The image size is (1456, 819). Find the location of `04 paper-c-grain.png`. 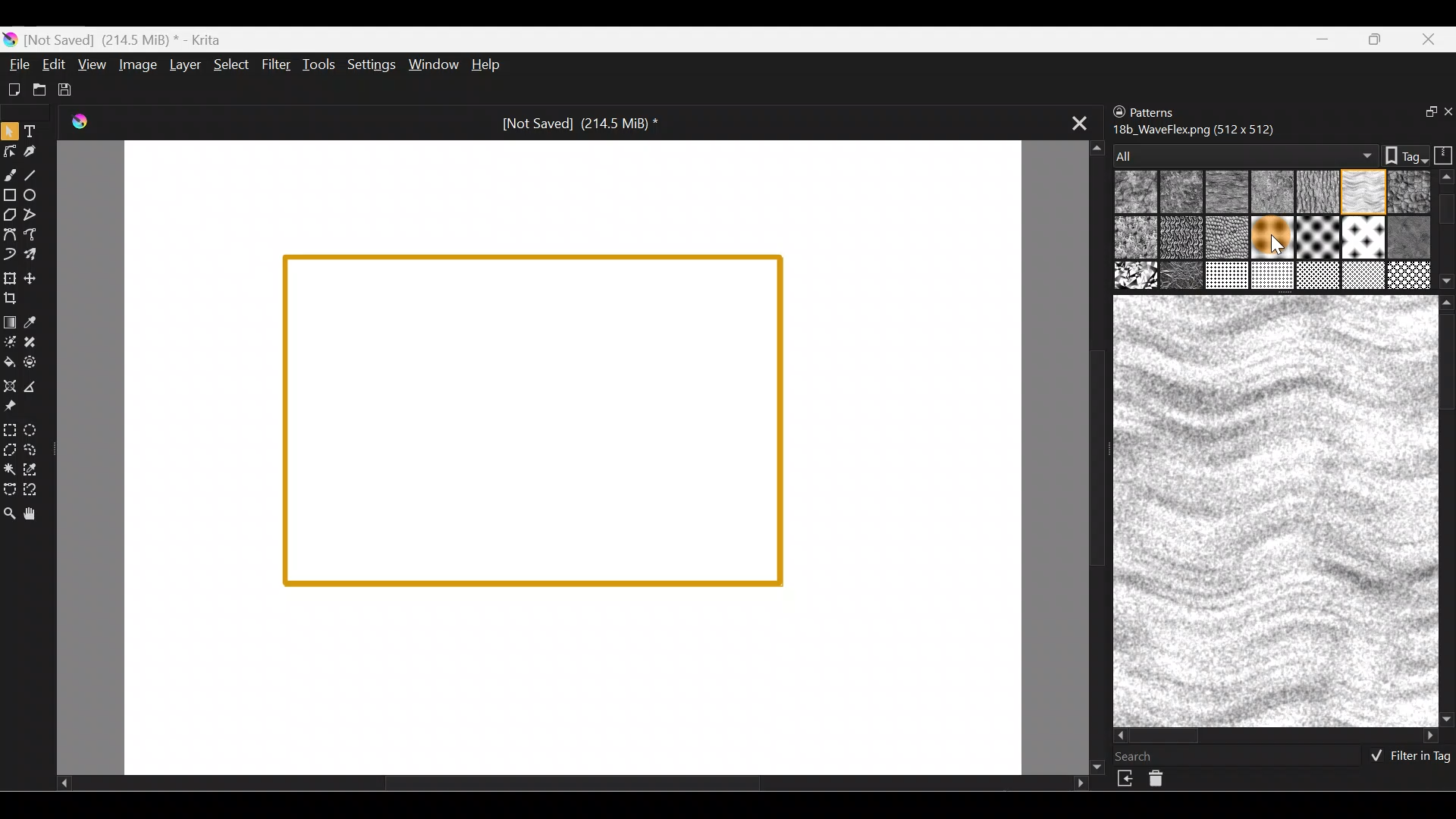

04 paper-c-grain.png is located at coordinates (1316, 193).